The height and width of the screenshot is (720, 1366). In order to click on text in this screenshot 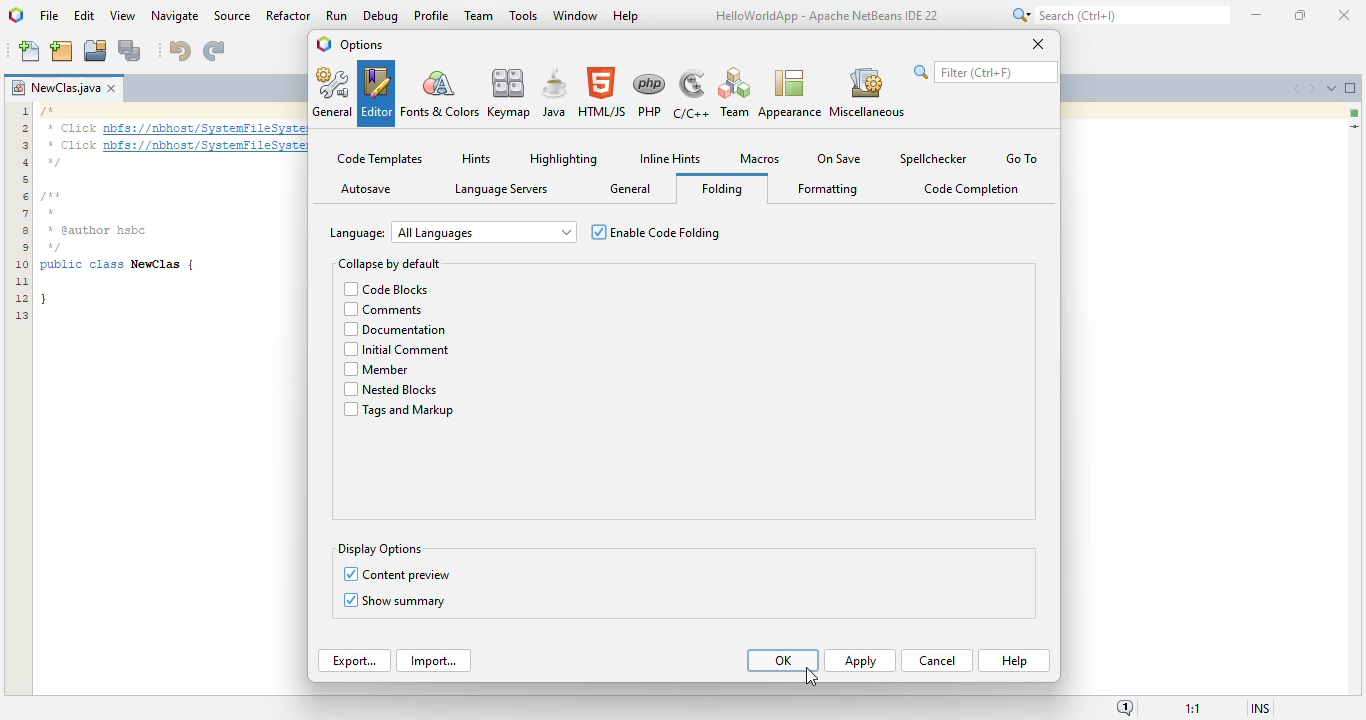, I will do `click(172, 161)`.